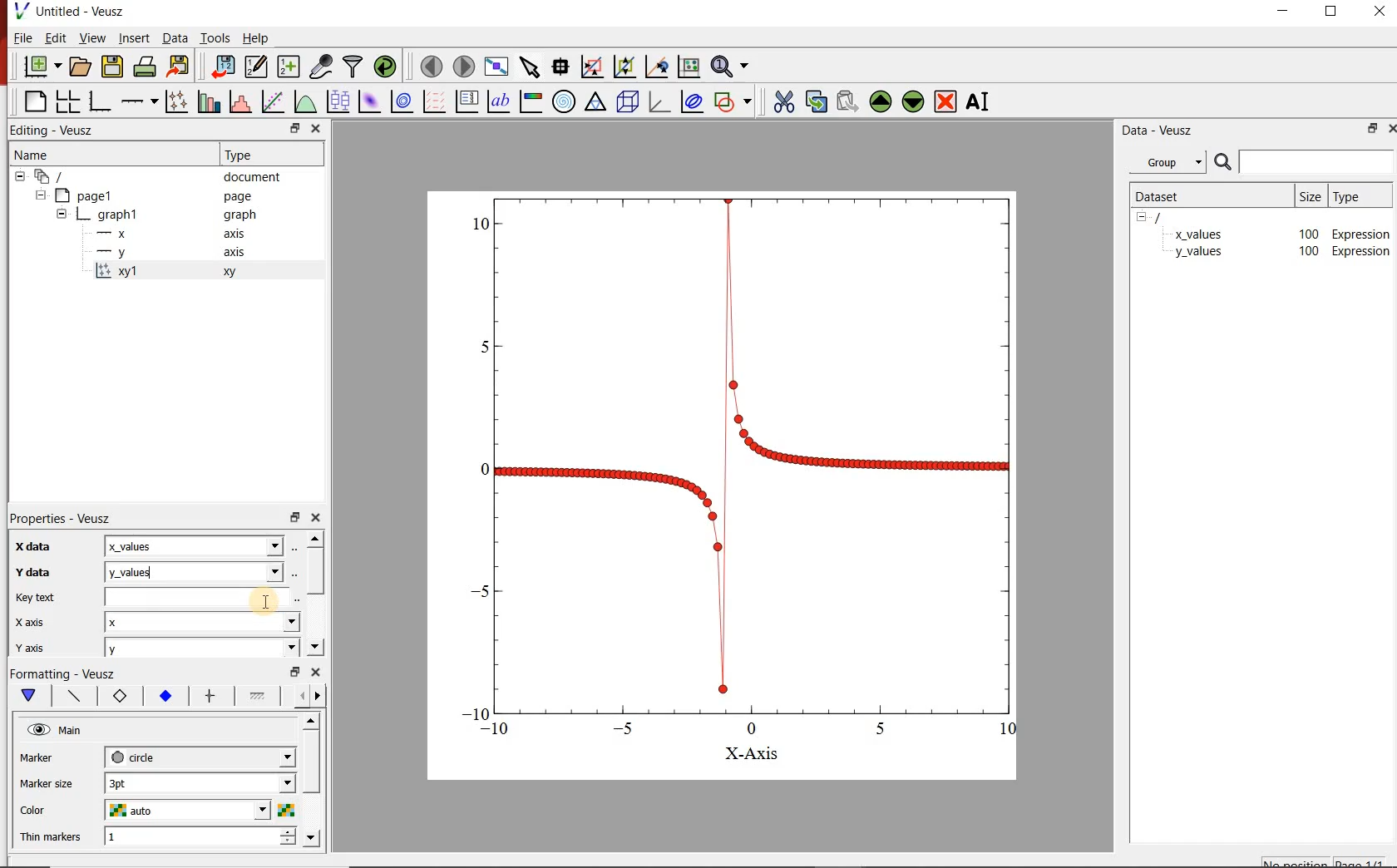 The image size is (1397, 868). Describe the element at coordinates (468, 101) in the screenshot. I see `plot key` at that location.